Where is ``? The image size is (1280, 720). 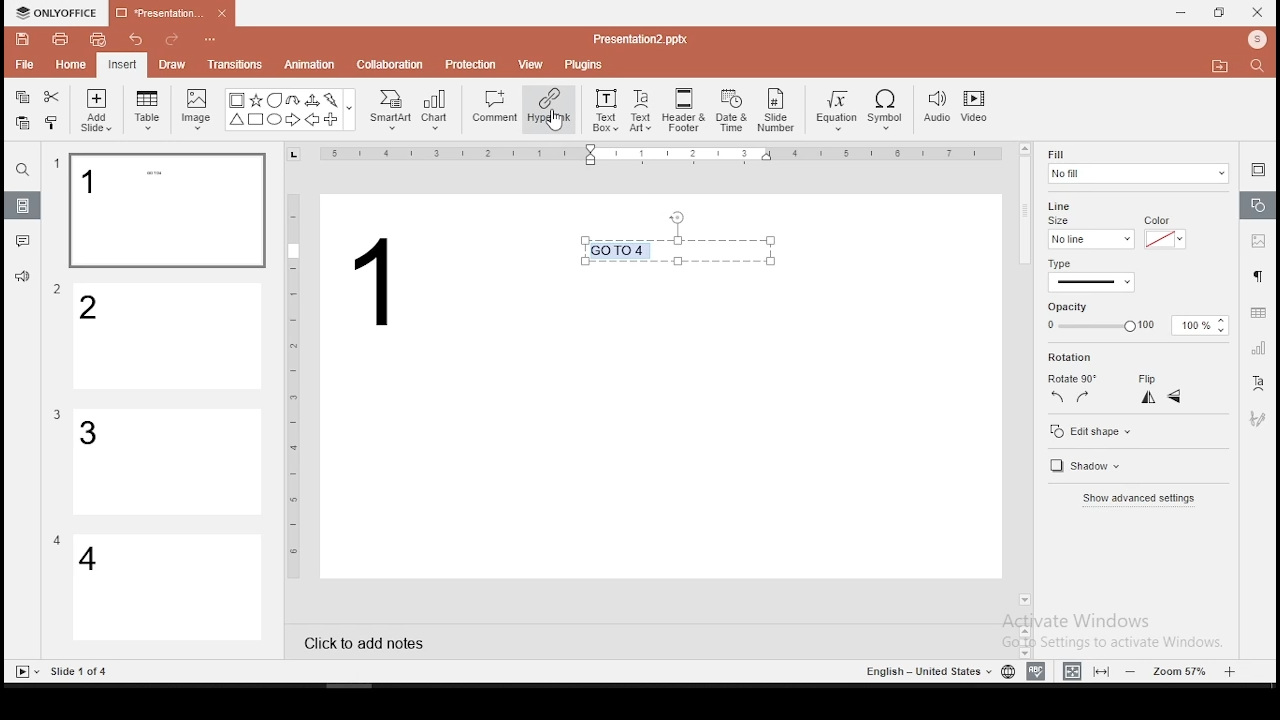
 is located at coordinates (390, 284).